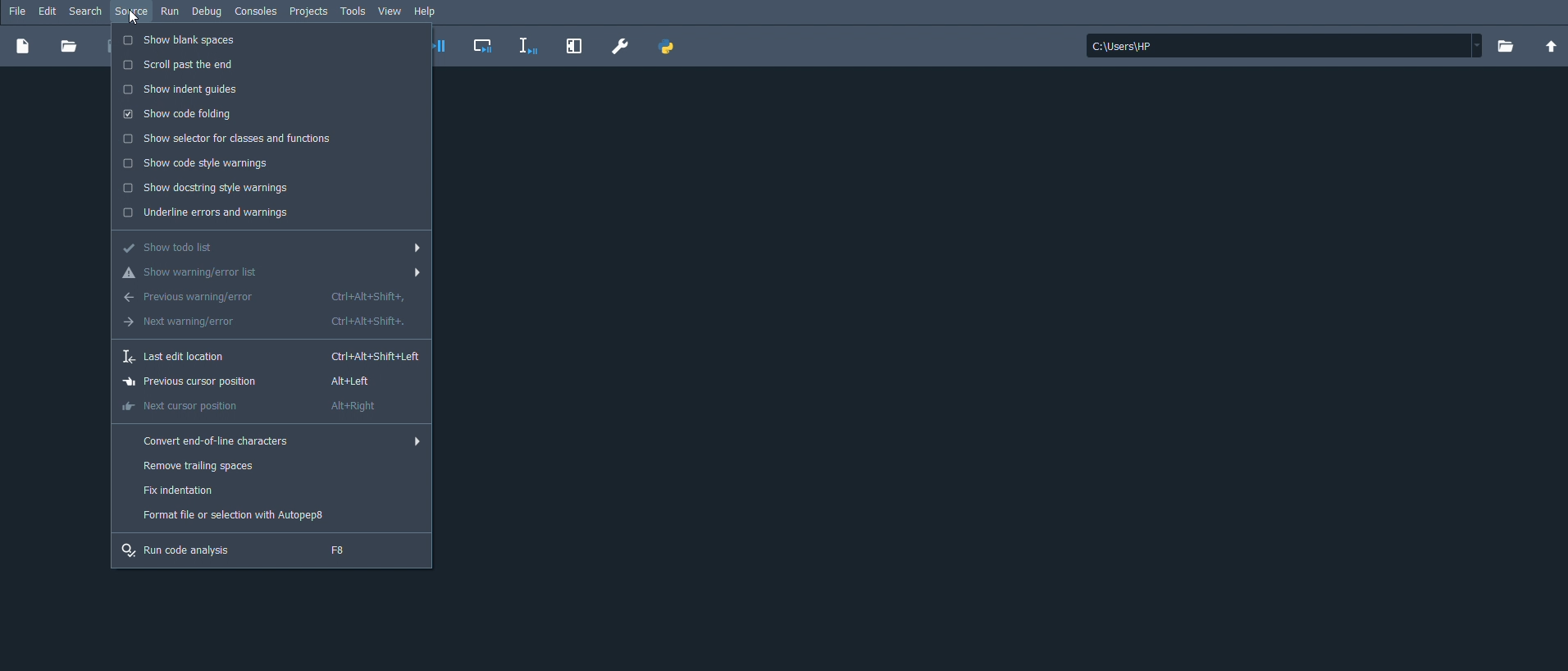  What do you see at coordinates (233, 514) in the screenshot?
I see `Format file or selection with Autopep8` at bounding box center [233, 514].